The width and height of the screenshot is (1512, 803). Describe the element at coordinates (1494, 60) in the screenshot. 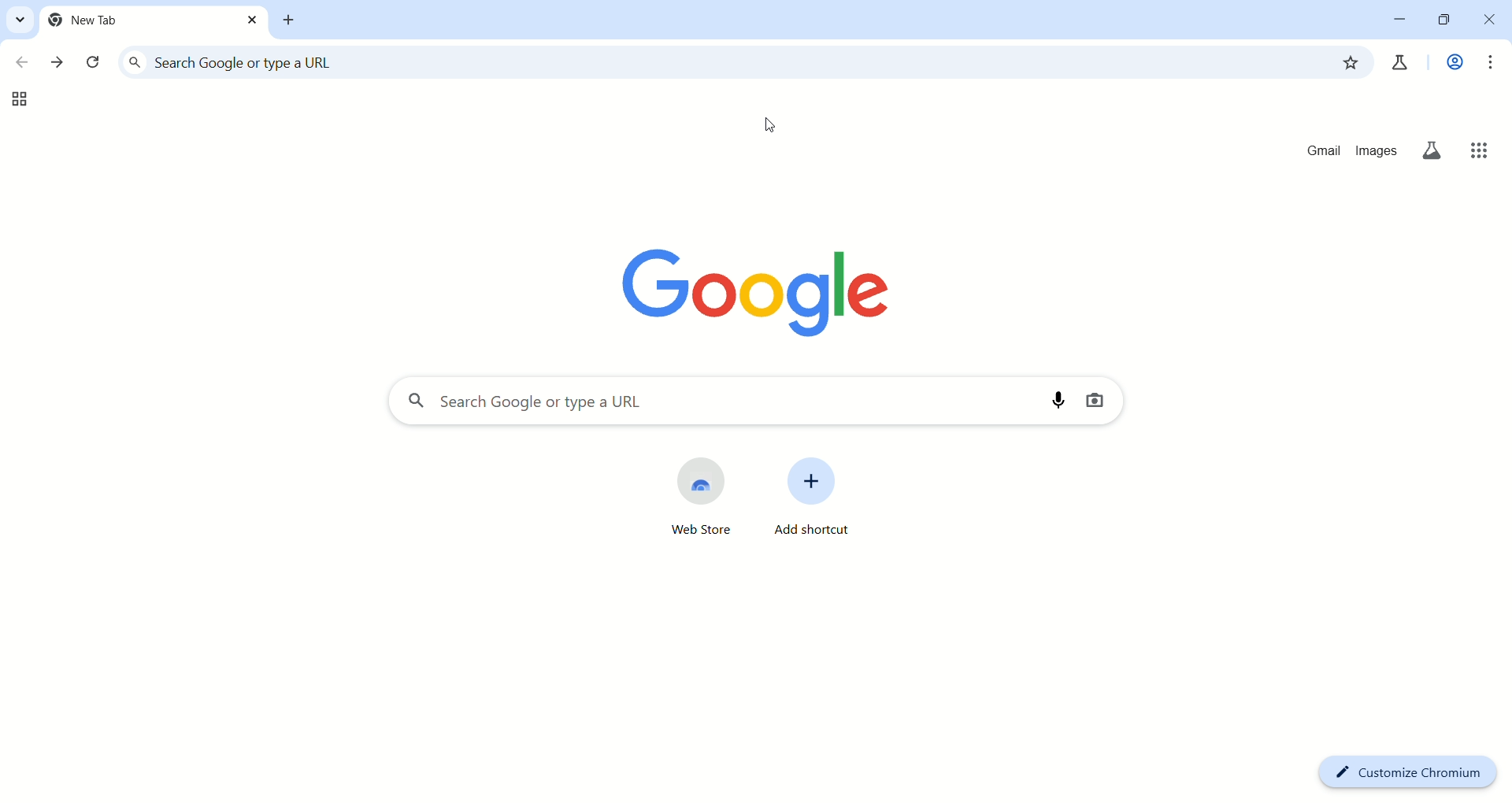

I see `customize and control brave` at that location.